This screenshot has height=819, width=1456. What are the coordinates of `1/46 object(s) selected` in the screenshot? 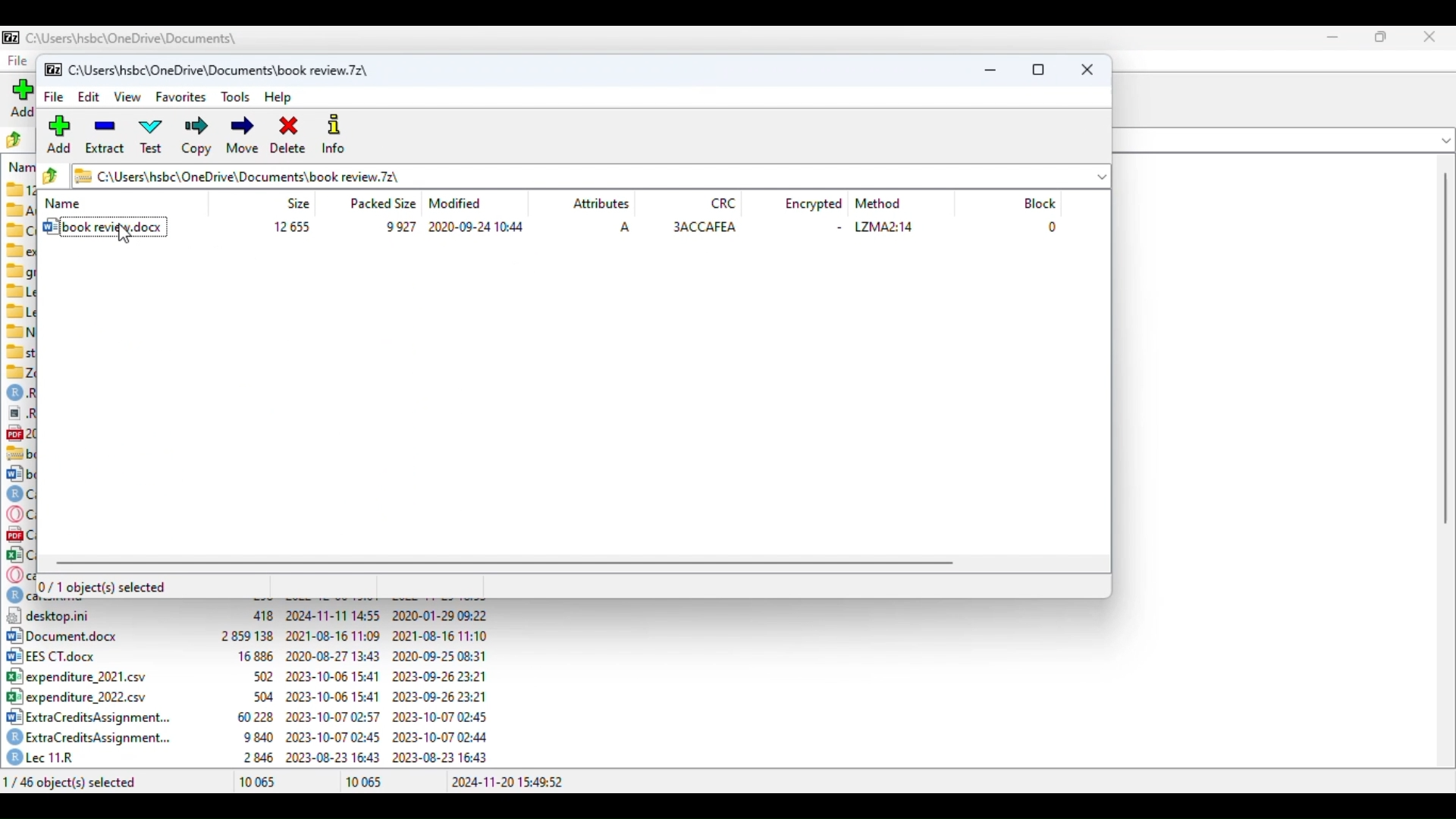 It's located at (72, 782).